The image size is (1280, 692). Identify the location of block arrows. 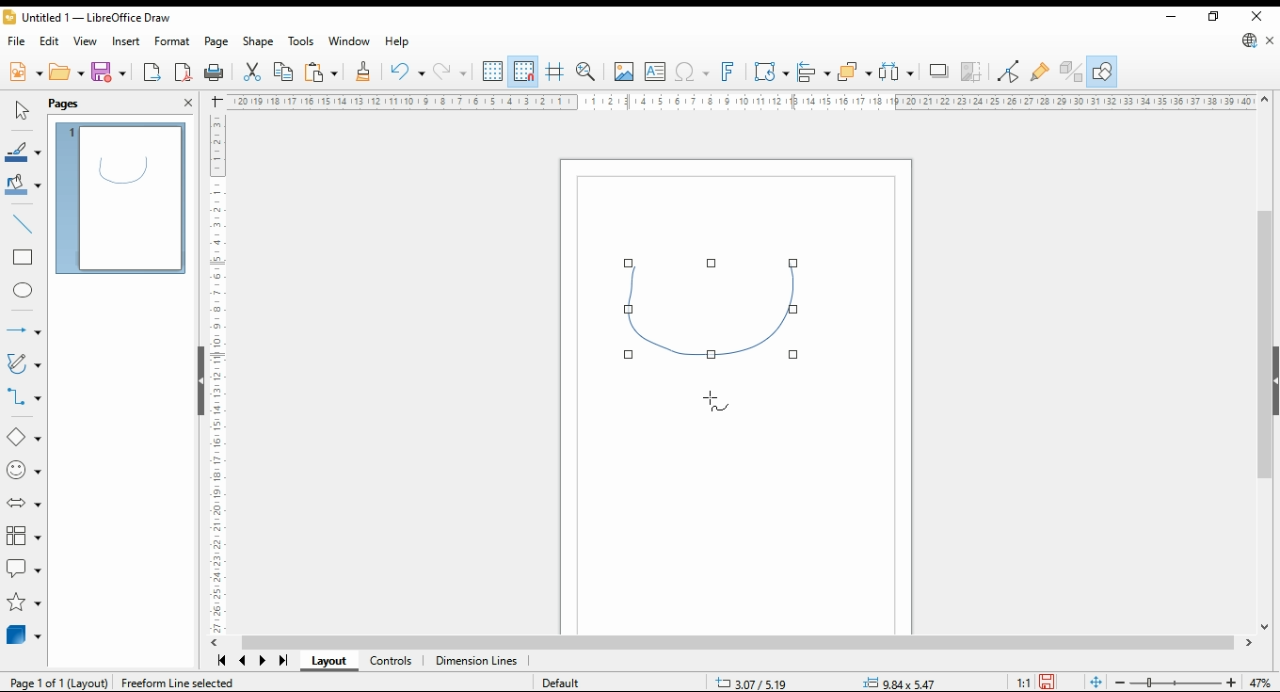
(23, 501).